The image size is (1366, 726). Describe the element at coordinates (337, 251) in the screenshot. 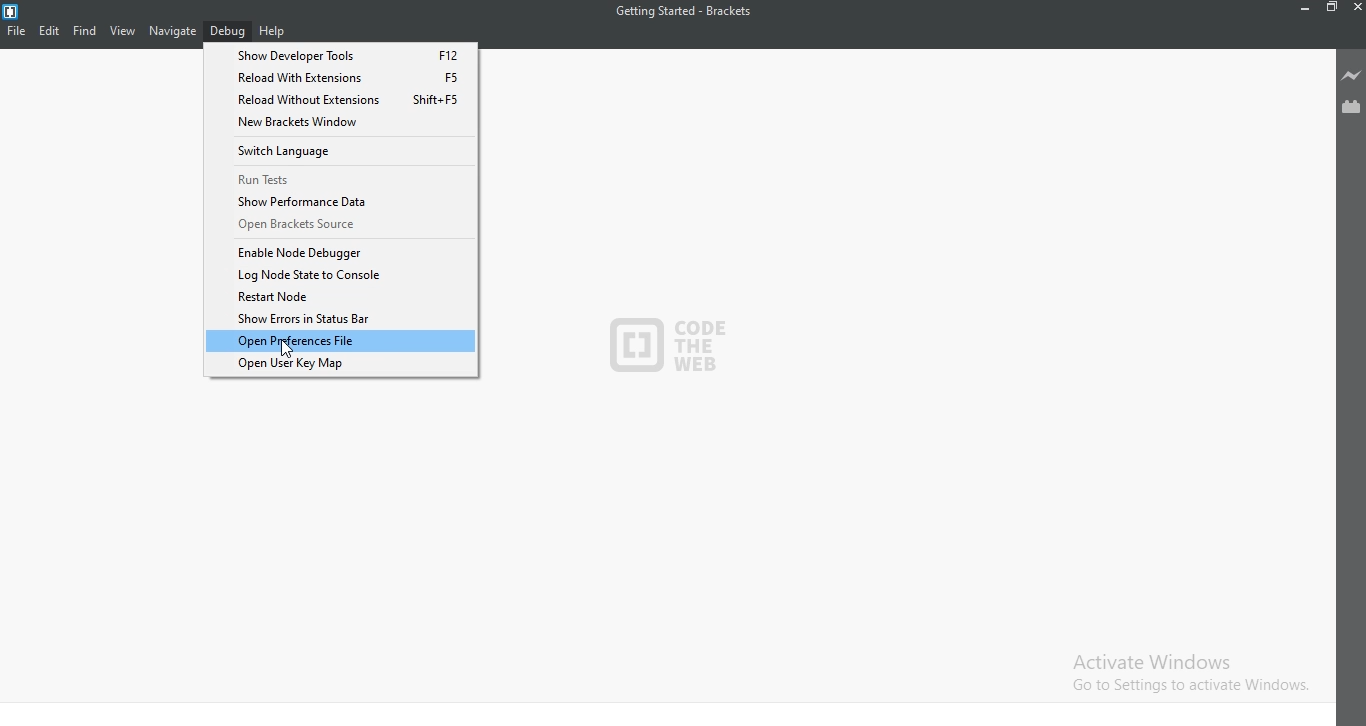

I see `enable node debugger` at that location.